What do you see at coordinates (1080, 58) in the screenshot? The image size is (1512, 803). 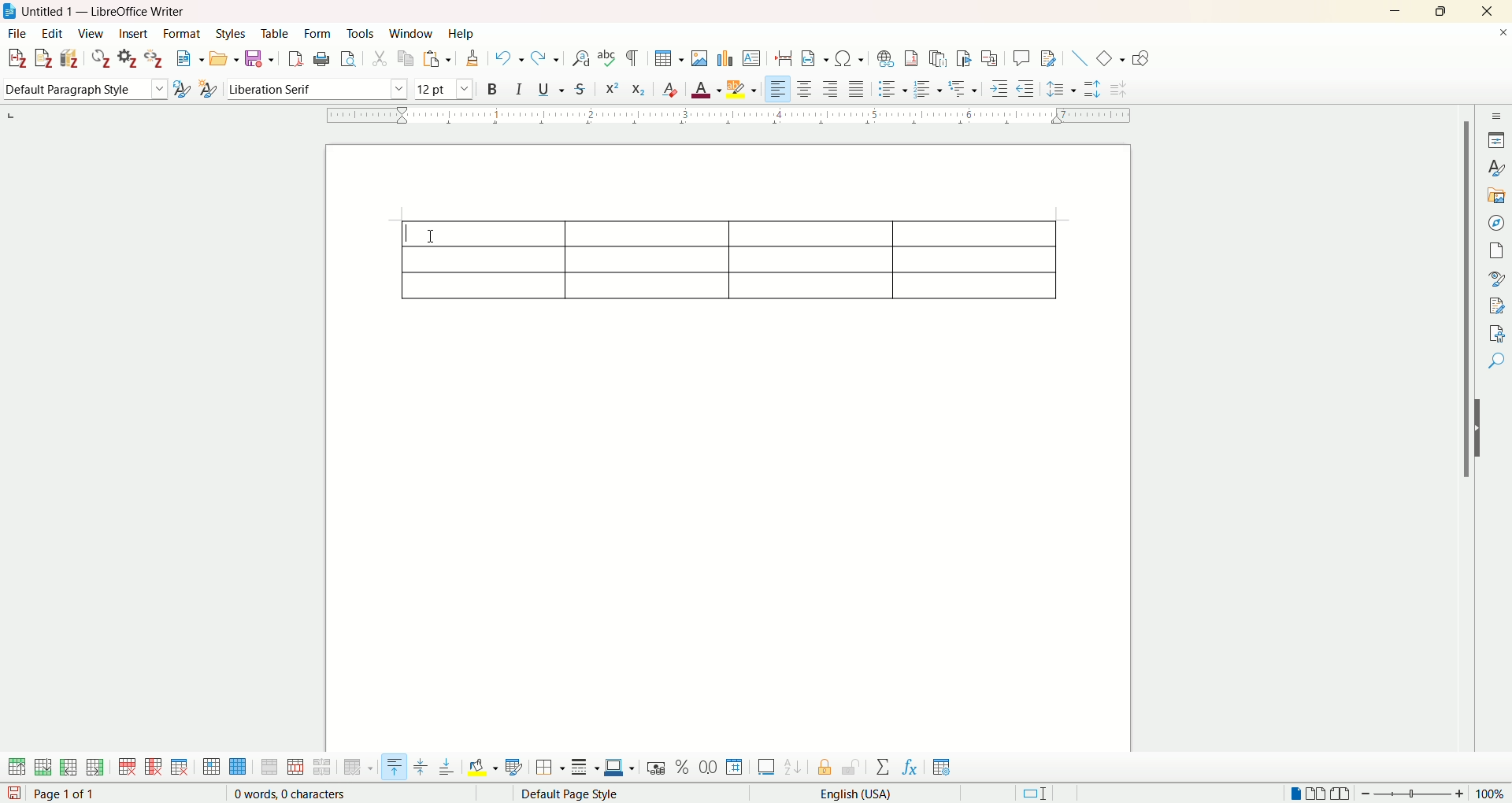 I see `insert line` at bounding box center [1080, 58].